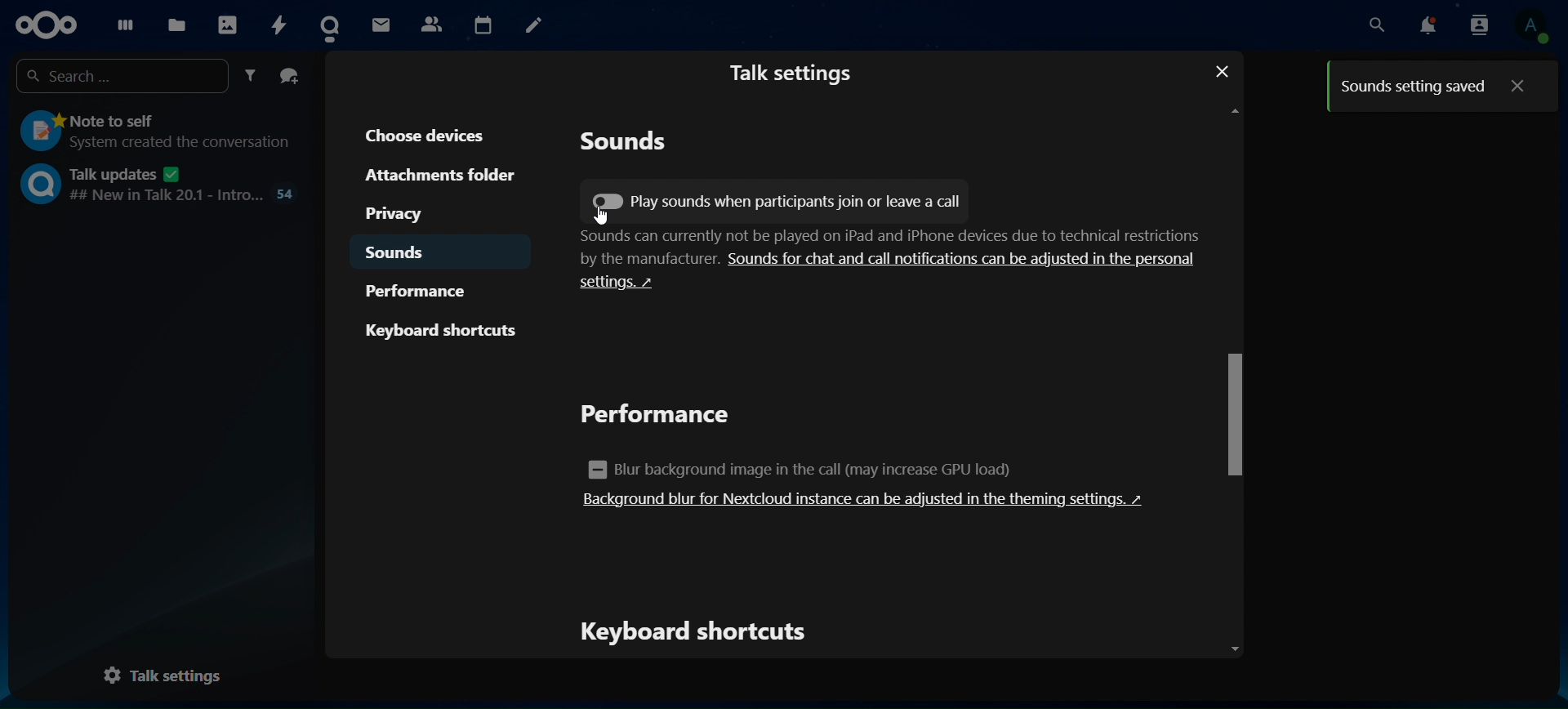 This screenshot has width=1568, height=709. Describe the element at coordinates (434, 134) in the screenshot. I see `choose devices` at that location.